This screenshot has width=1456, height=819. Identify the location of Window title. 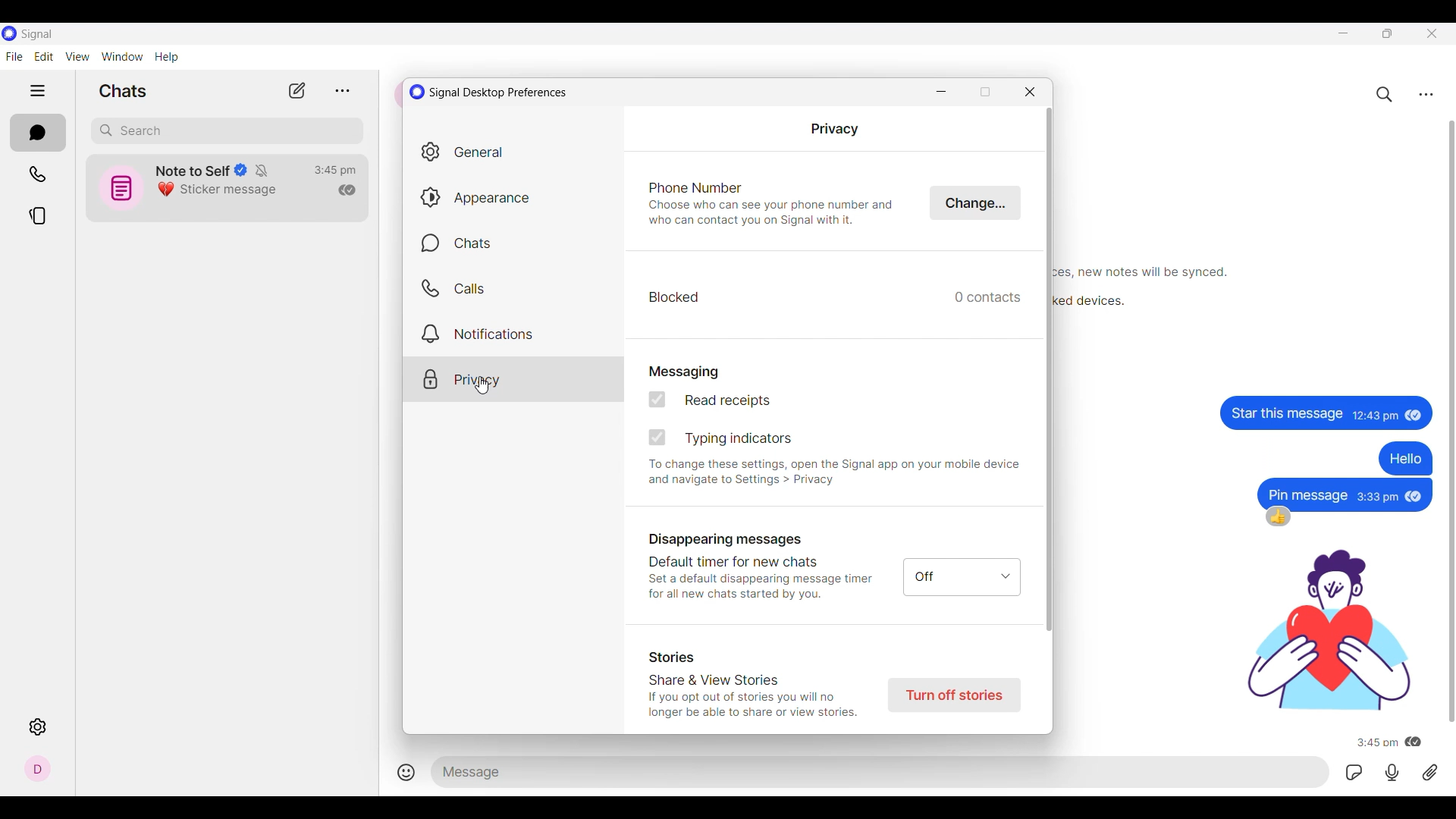
(488, 91).